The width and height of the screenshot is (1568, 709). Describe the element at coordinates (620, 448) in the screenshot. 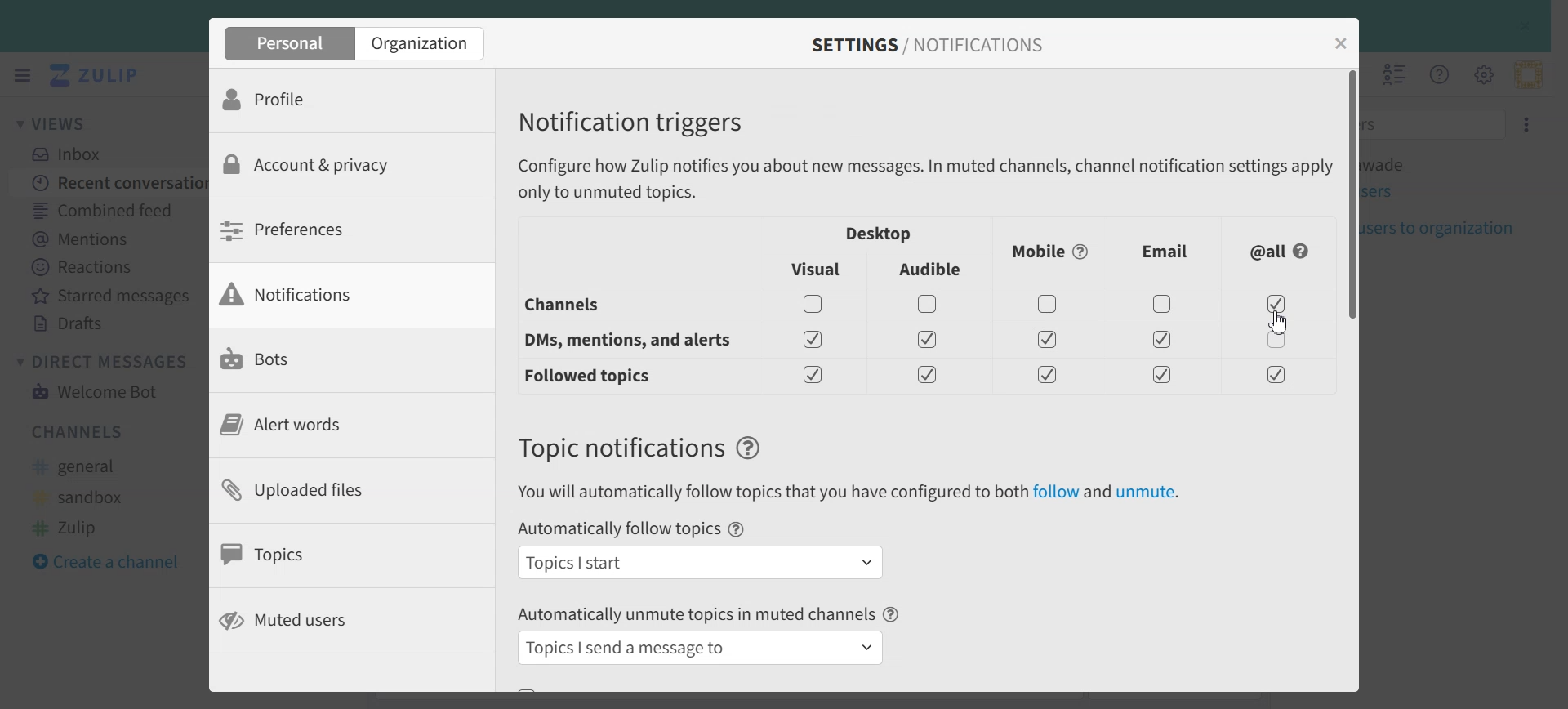

I see `Text` at that location.